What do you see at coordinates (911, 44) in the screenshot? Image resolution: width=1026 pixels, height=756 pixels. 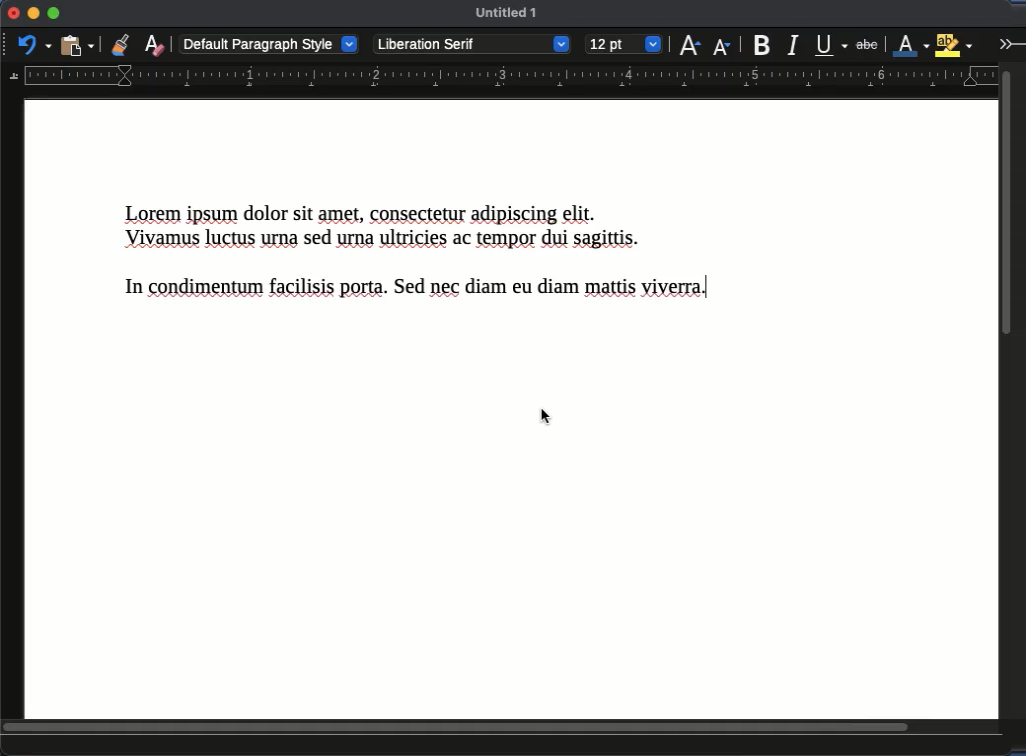 I see `line color` at bounding box center [911, 44].